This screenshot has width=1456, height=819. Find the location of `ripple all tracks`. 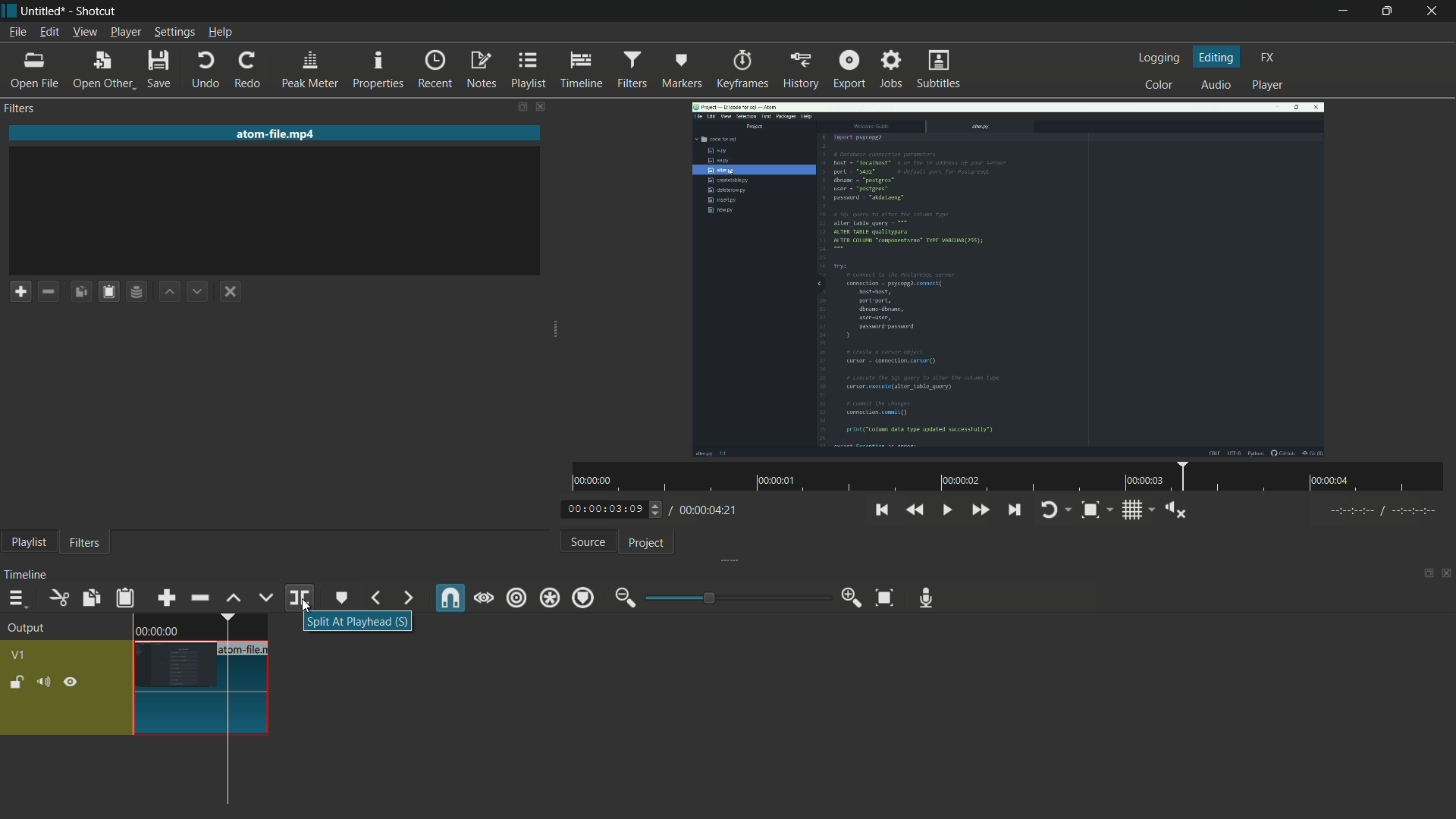

ripple all tracks is located at coordinates (549, 598).